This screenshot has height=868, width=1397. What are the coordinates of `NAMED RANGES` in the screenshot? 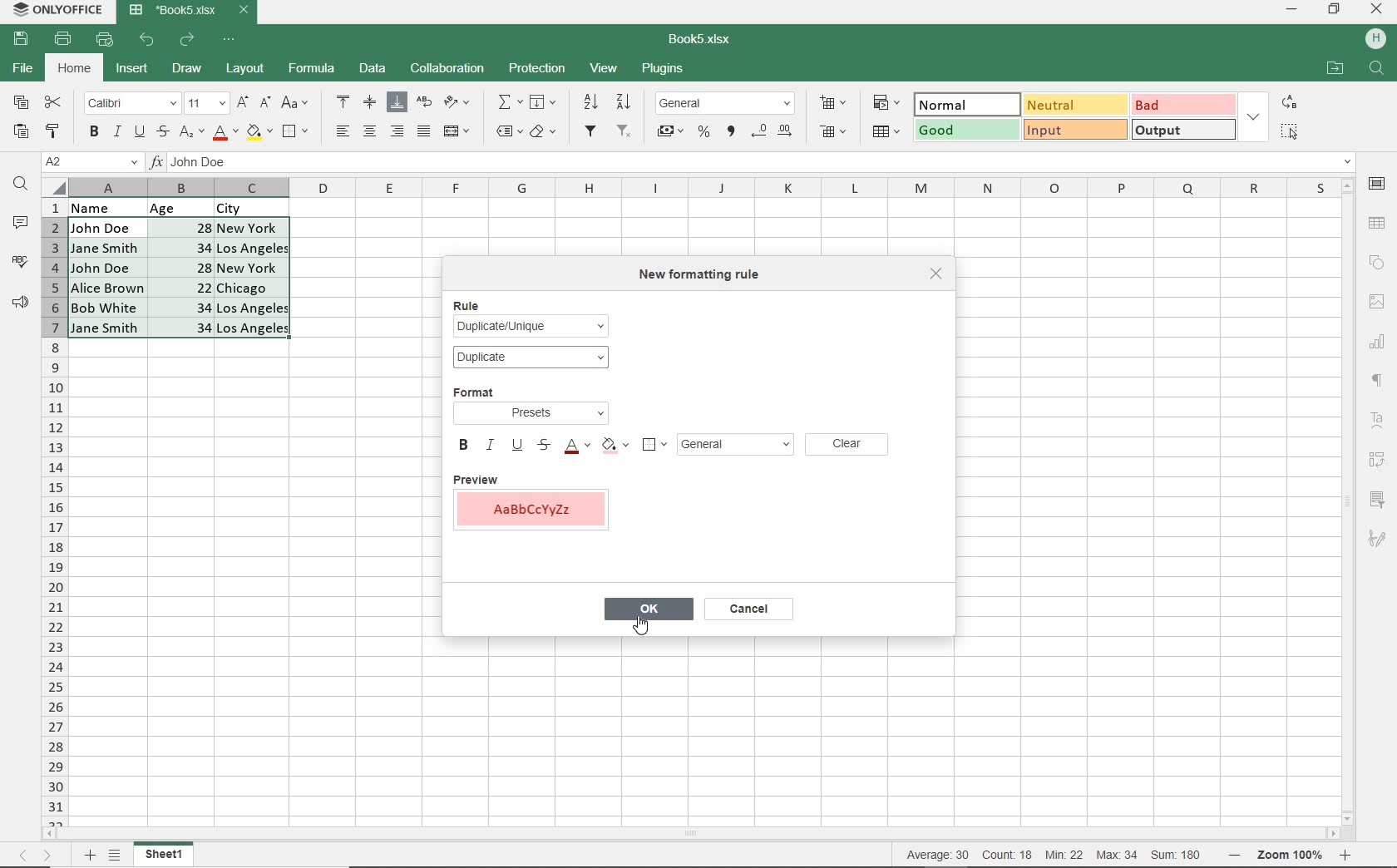 It's located at (508, 132).